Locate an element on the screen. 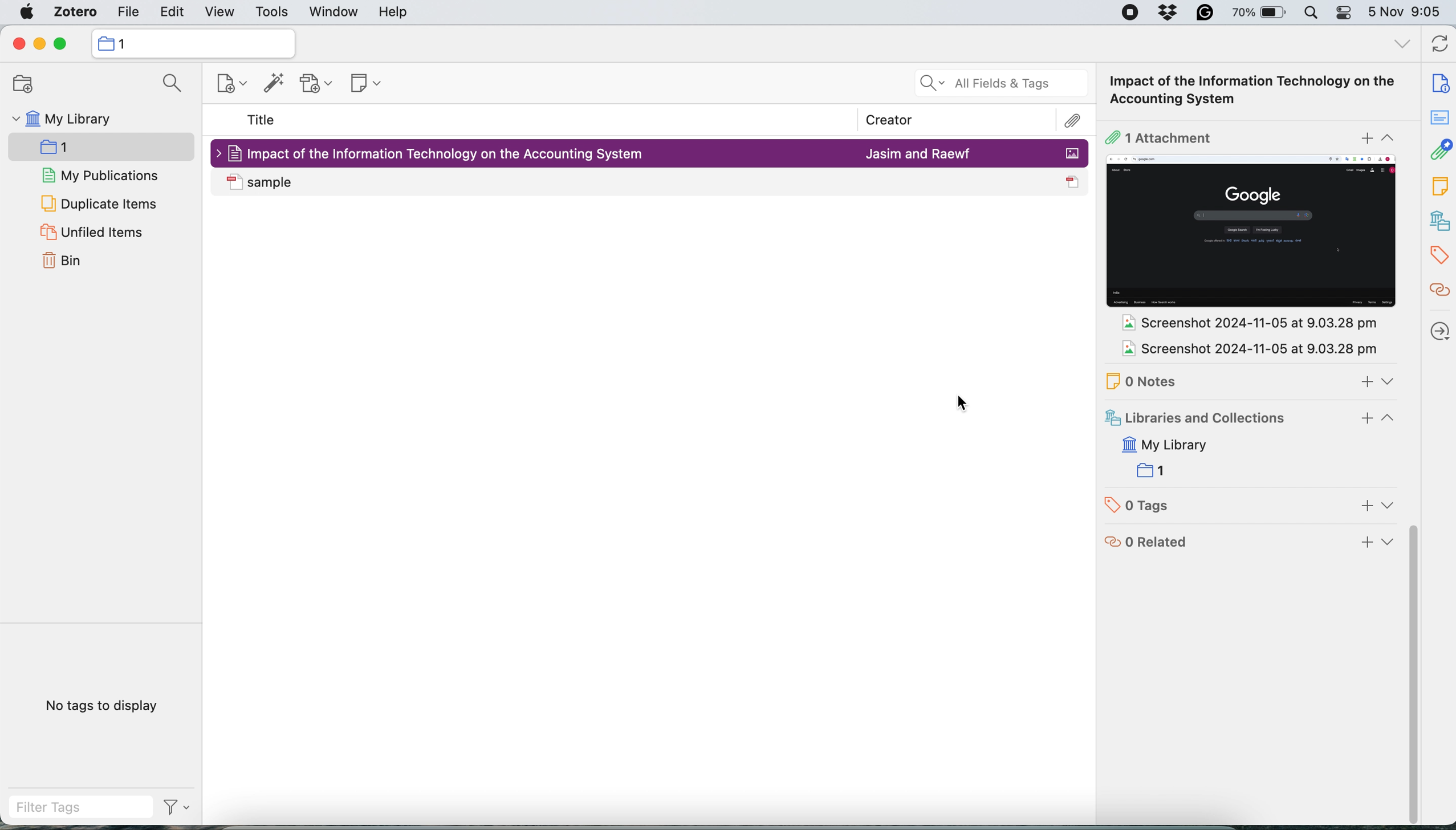 The height and width of the screenshot is (830, 1456). new collection is located at coordinates (18, 84).